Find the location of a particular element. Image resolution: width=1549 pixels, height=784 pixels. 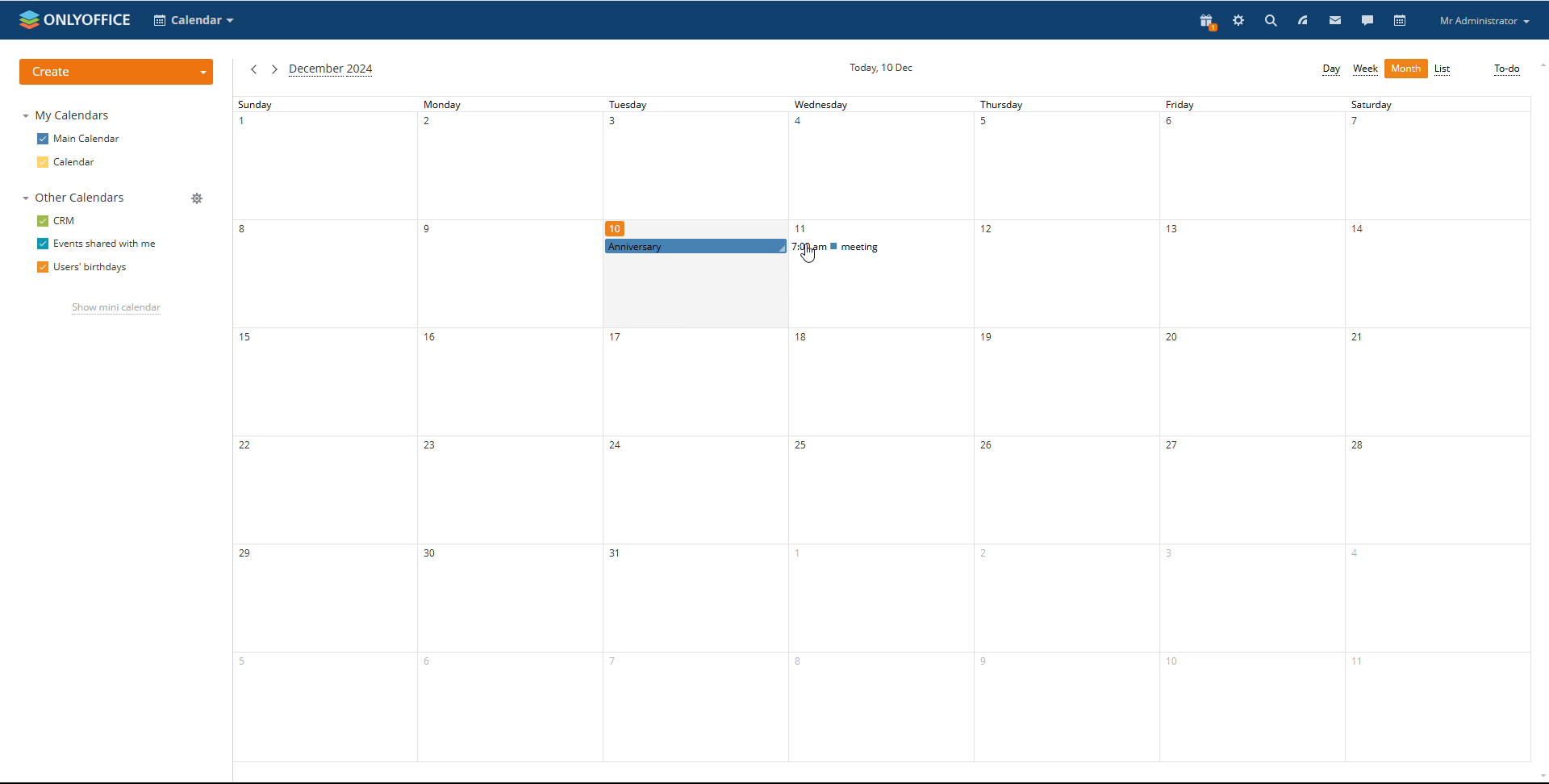

select application is located at coordinates (194, 21).